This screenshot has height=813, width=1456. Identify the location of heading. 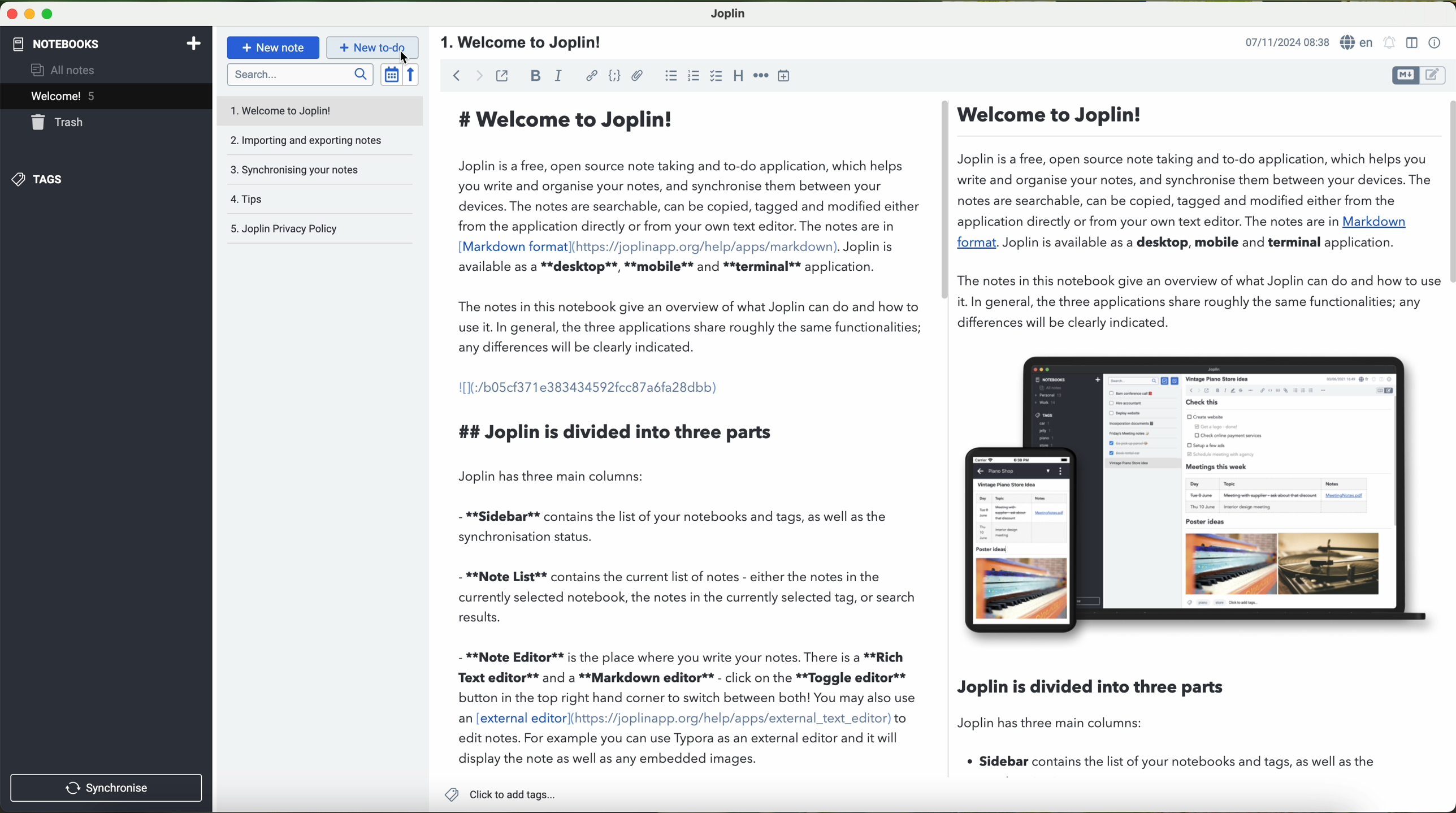
(524, 43).